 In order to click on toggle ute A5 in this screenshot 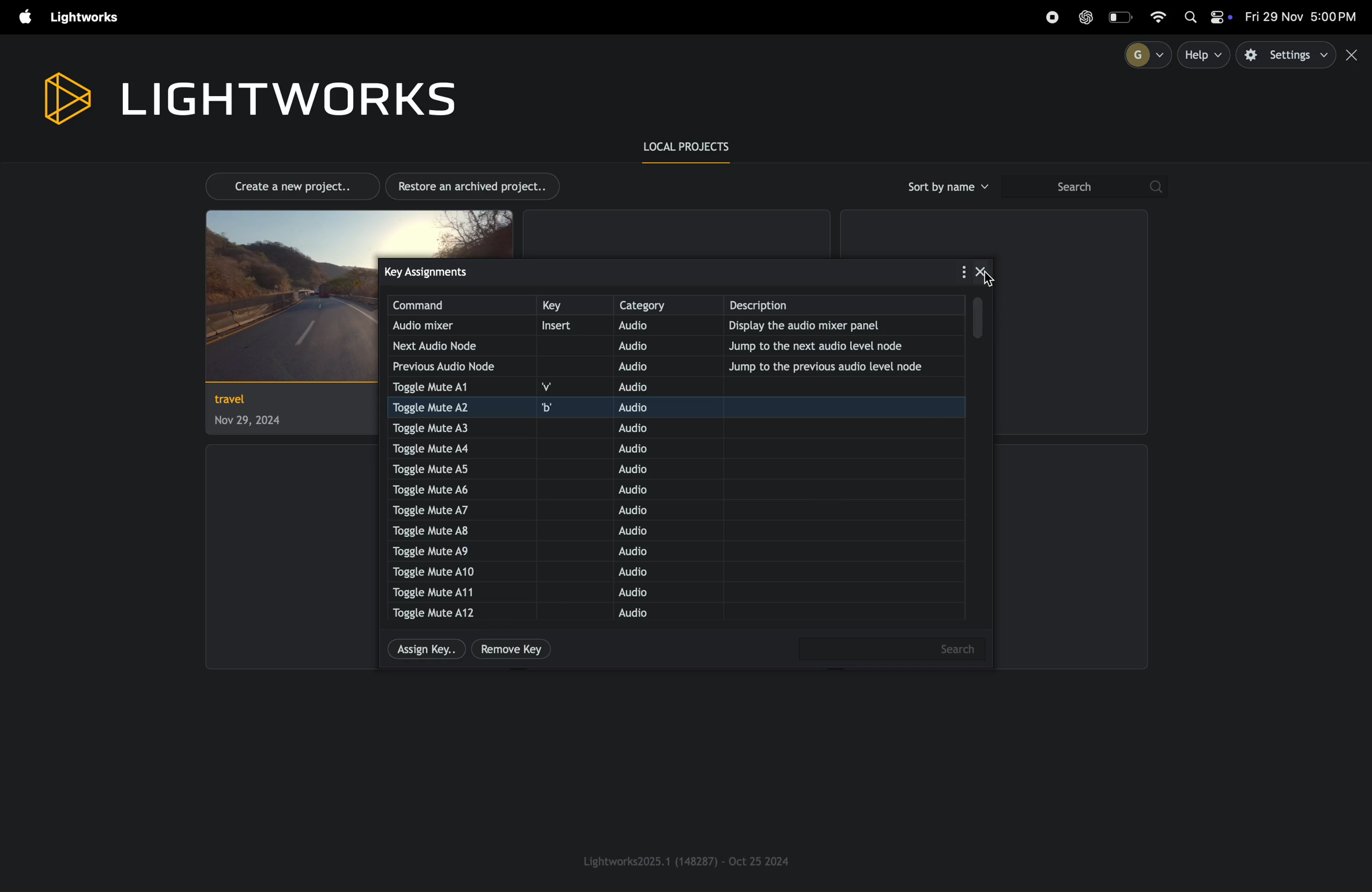, I will do `click(440, 468)`.